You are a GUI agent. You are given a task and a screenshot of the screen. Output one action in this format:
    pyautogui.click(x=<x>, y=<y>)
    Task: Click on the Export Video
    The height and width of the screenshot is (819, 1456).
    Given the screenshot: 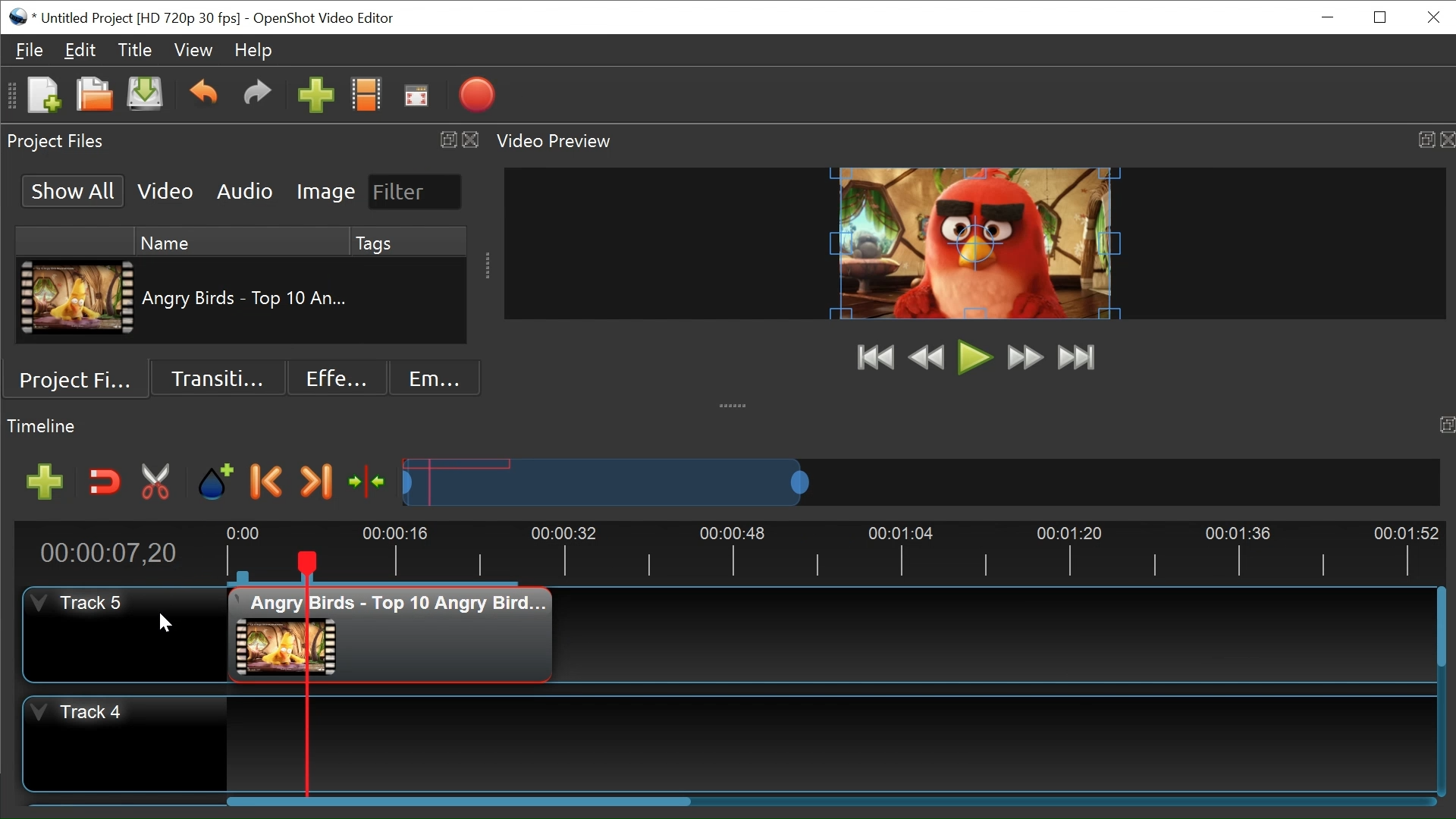 What is the action you would take?
    pyautogui.click(x=476, y=95)
    